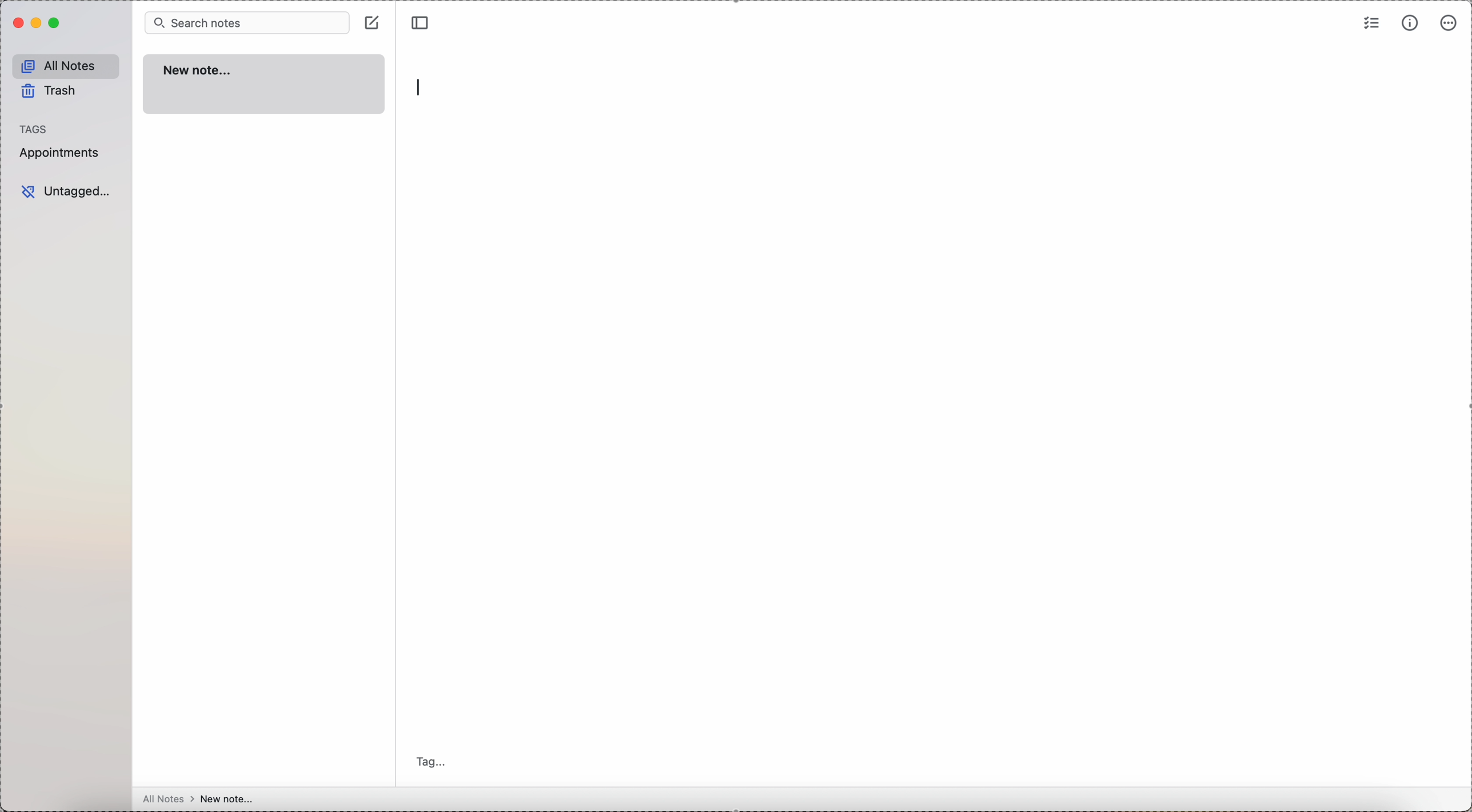 This screenshot has height=812, width=1472. Describe the element at coordinates (38, 23) in the screenshot. I see `minimize Simplenote` at that location.